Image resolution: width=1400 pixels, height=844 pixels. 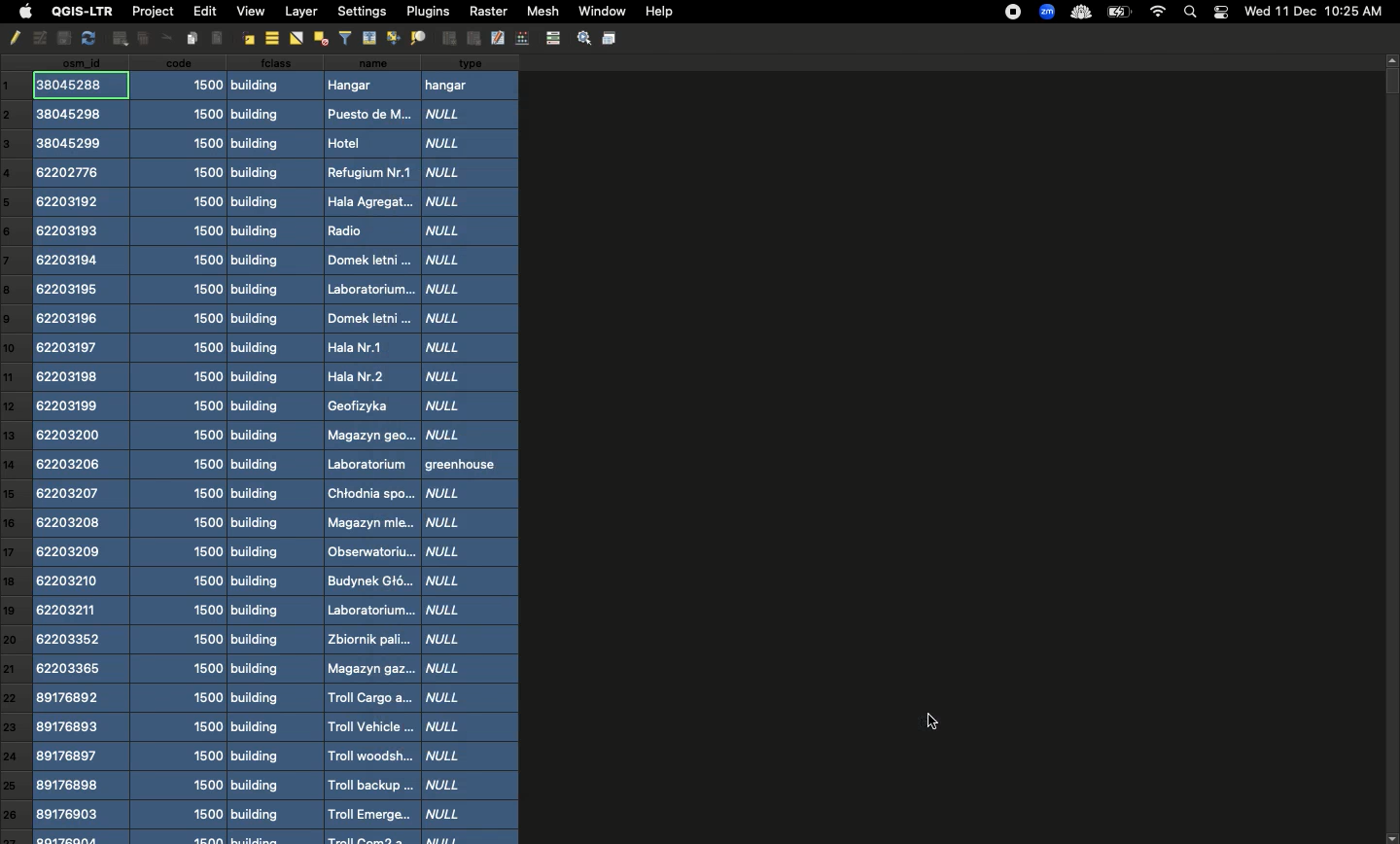 What do you see at coordinates (522, 37) in the screenshot?
I see `Edit Points` at bounding box center [522, 37].